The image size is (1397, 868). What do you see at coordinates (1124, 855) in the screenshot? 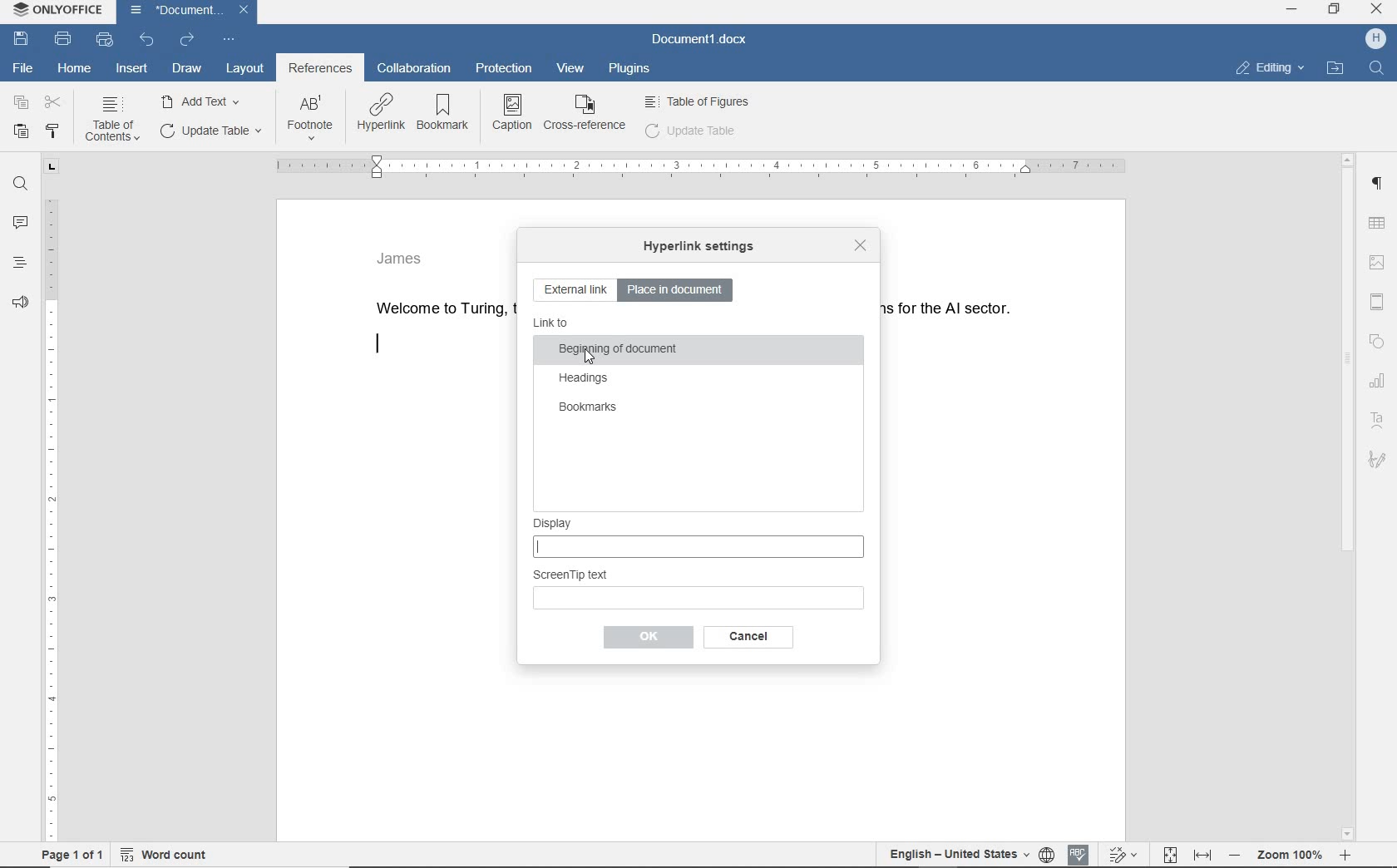
I see `track changes` at bounding box center [1124, 855].